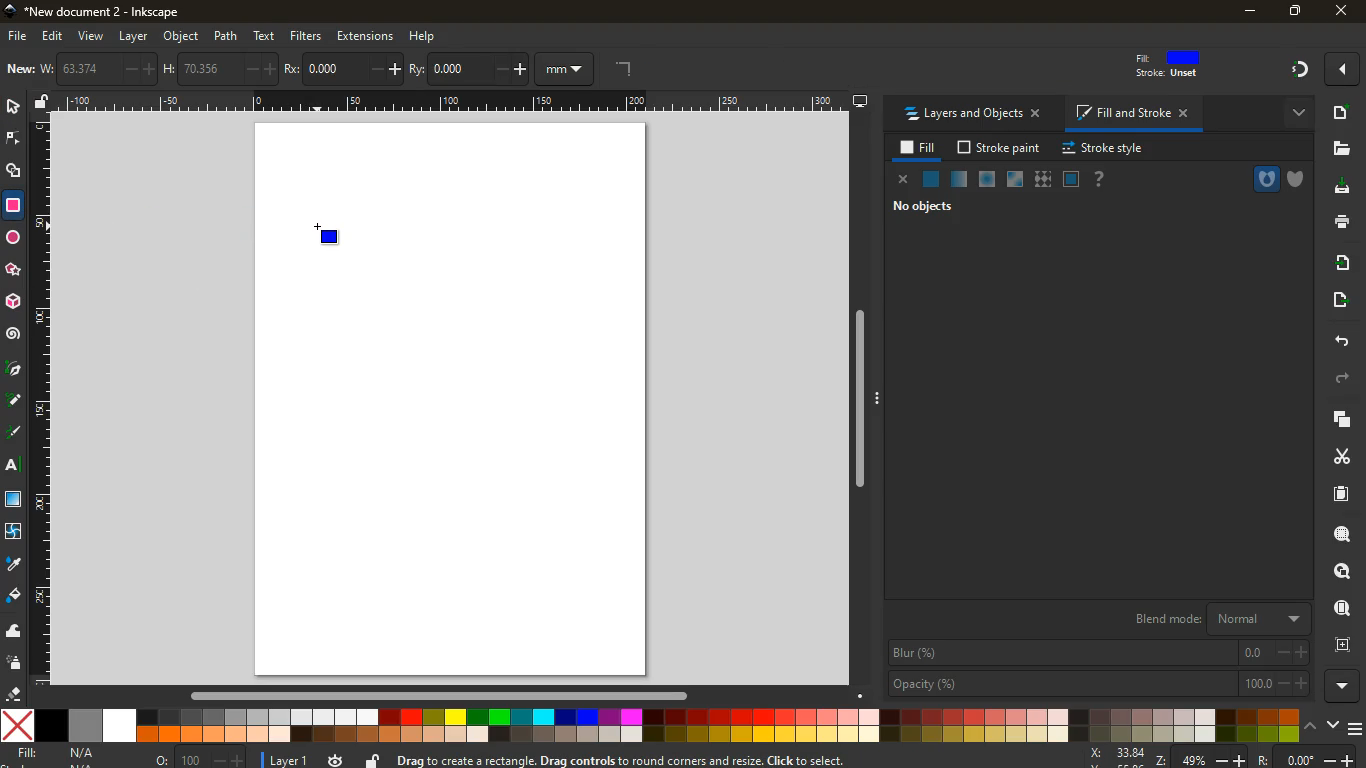 This screenshot has height=768, width=1366. Describe the element at coordinates (1345, 114) in the screenshot. I see `new` at that location.